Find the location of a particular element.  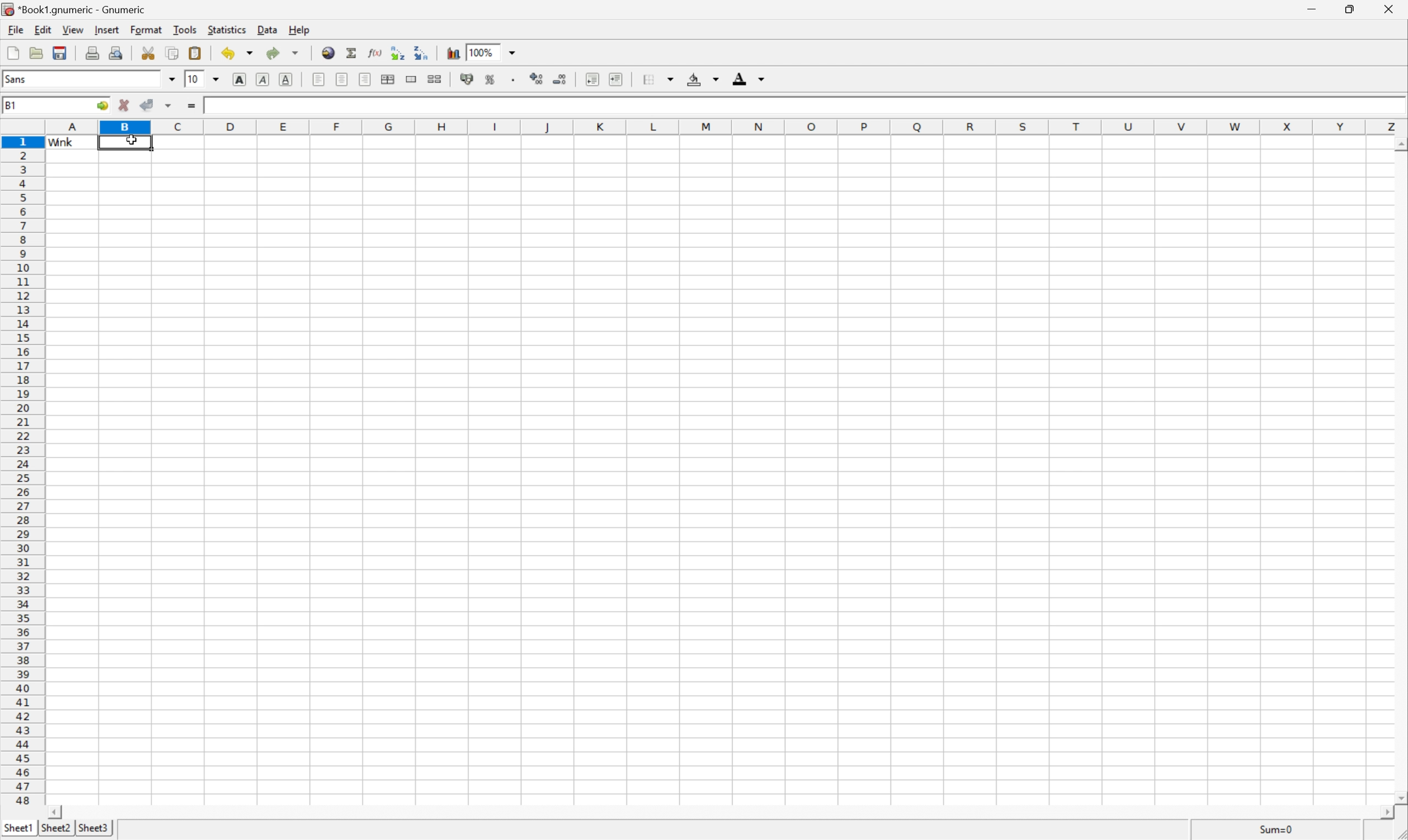

close is located at coordinates (1389, 11).